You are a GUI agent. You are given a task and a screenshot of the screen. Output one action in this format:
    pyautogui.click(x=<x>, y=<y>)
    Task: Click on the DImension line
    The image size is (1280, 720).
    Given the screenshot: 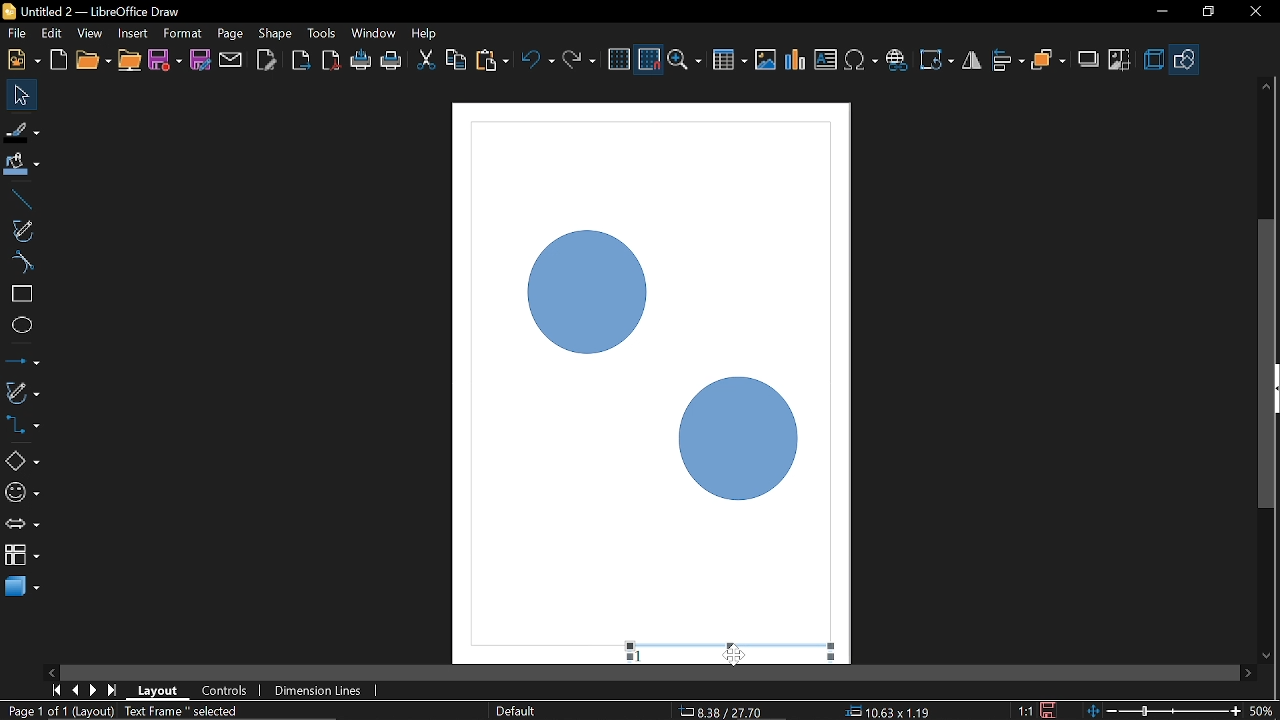 What is the action you would take?
    pyautogui.click(x=321, y=692)
    